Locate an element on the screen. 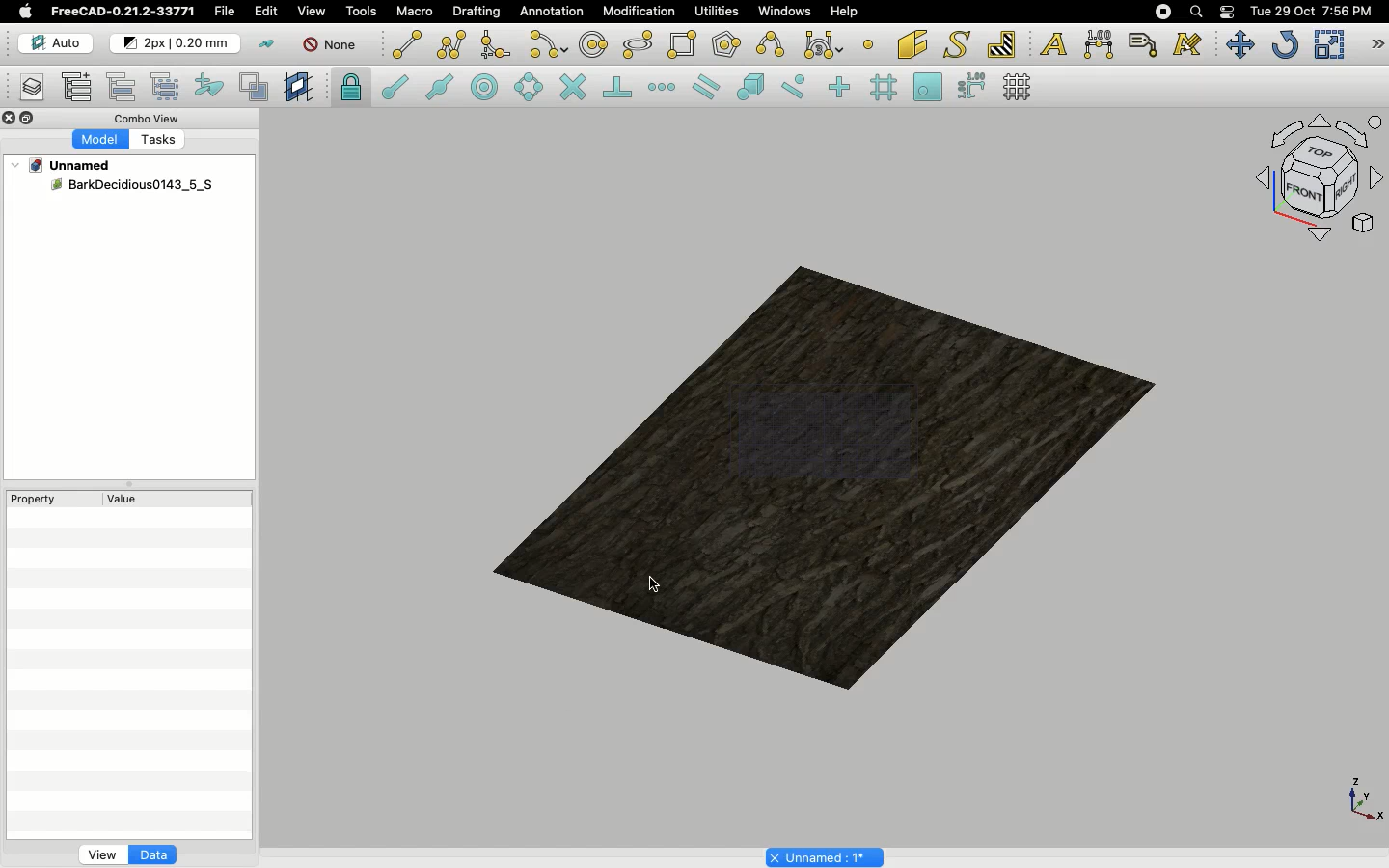 This screenshot has width=1389, height=868. Create working plane proxy is located at coordinates (258, 88).